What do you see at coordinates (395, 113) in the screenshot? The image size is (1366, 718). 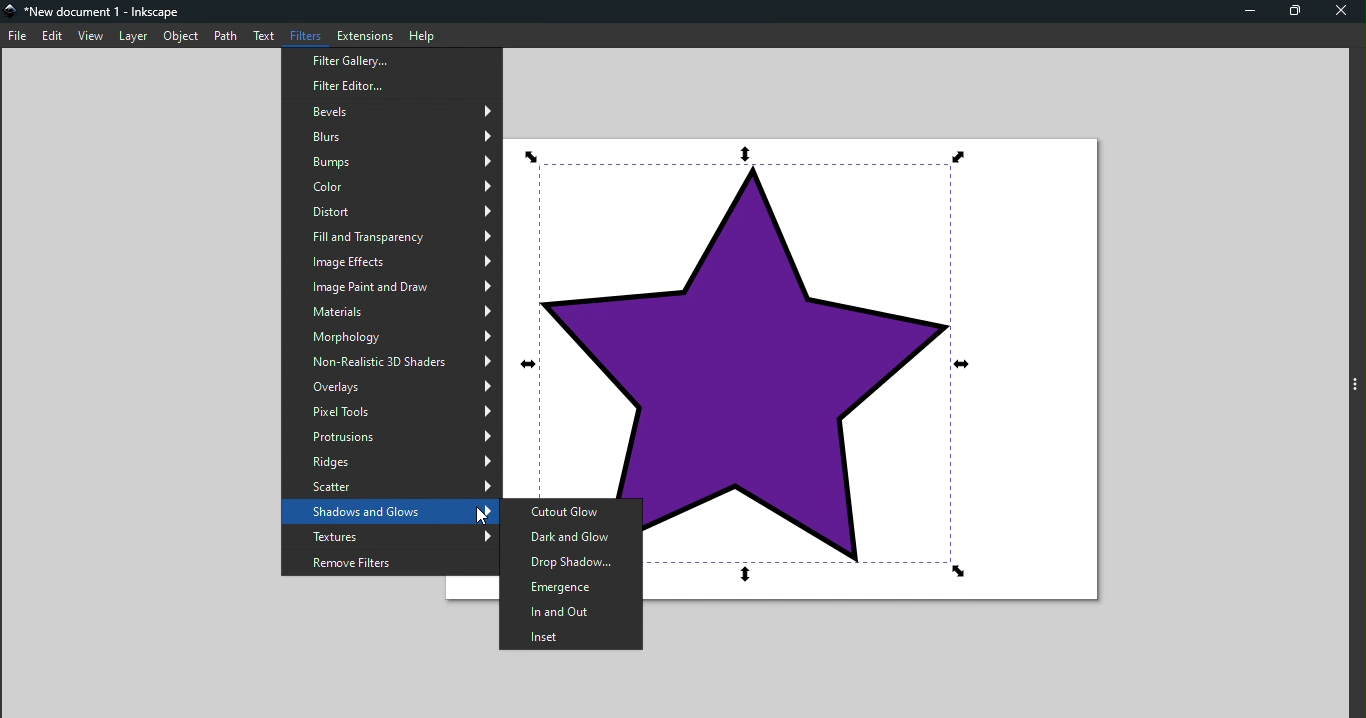 I see `Bevels` at bounding box center [395, 113].